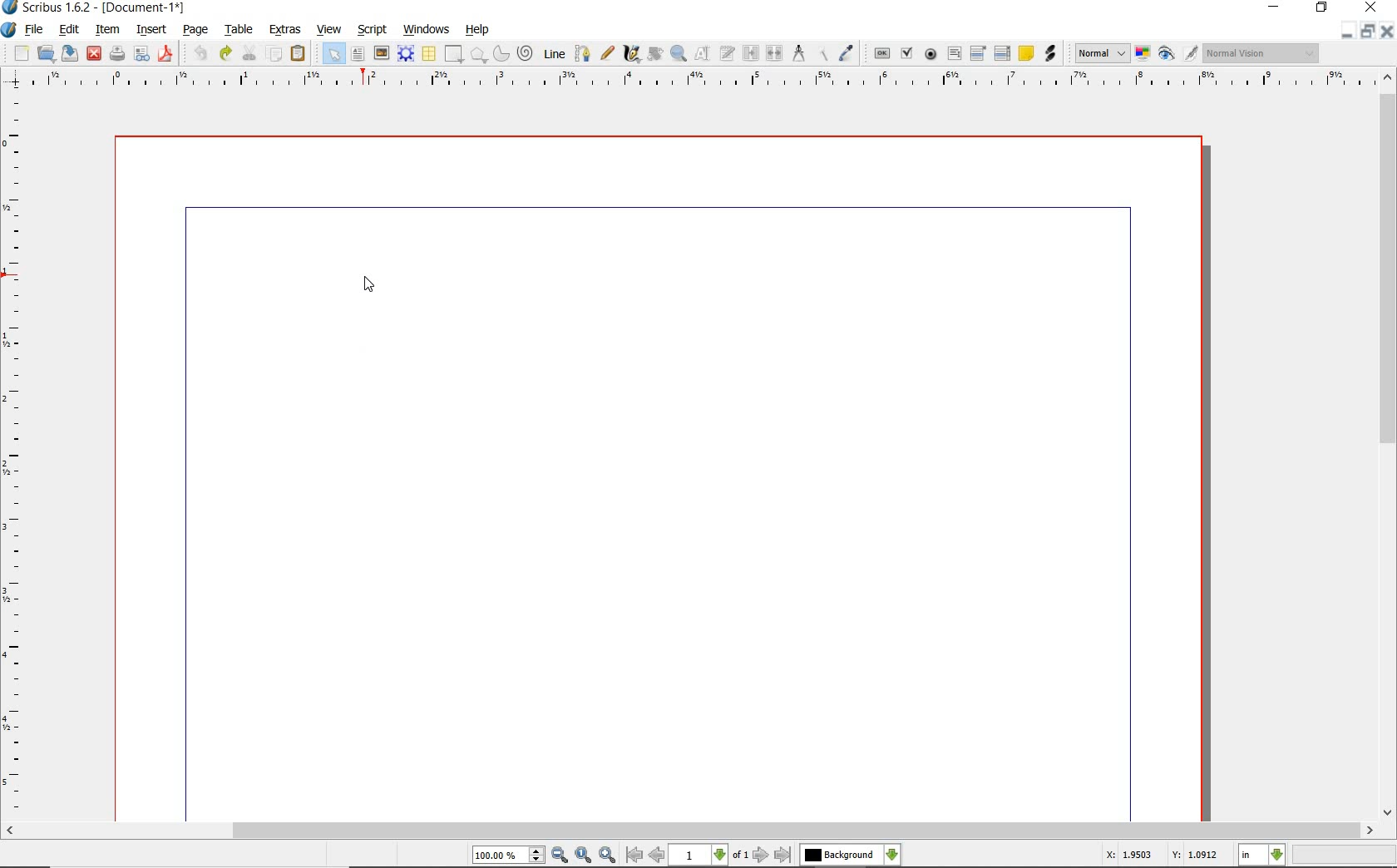 The width and height of the screenshot is (1397, 868). Describe the element at coordinates (555, 52) in the screenshot. I see `line` at that location.